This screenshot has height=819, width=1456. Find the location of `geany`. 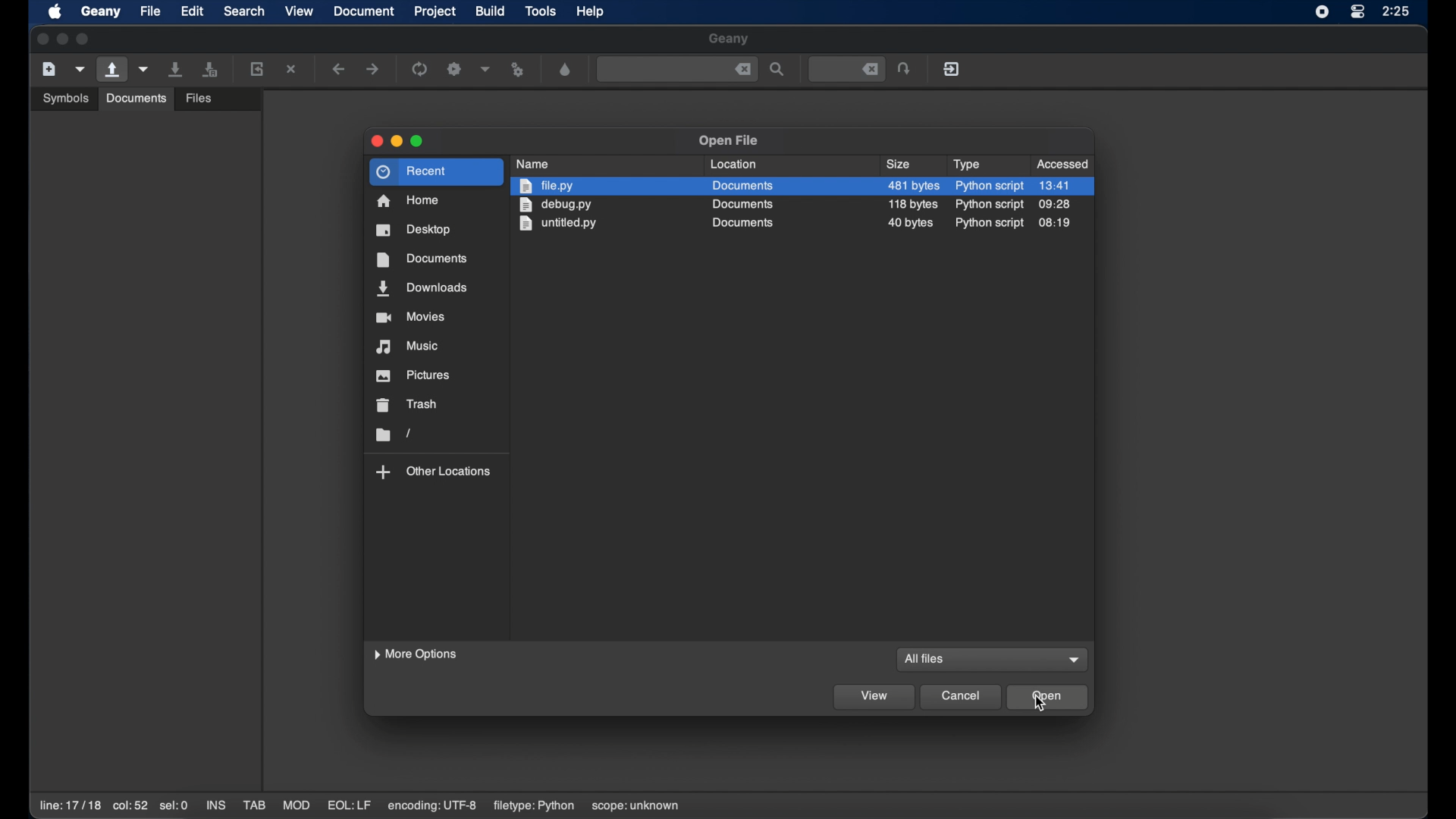

geany is located at coordinates (101, 12).